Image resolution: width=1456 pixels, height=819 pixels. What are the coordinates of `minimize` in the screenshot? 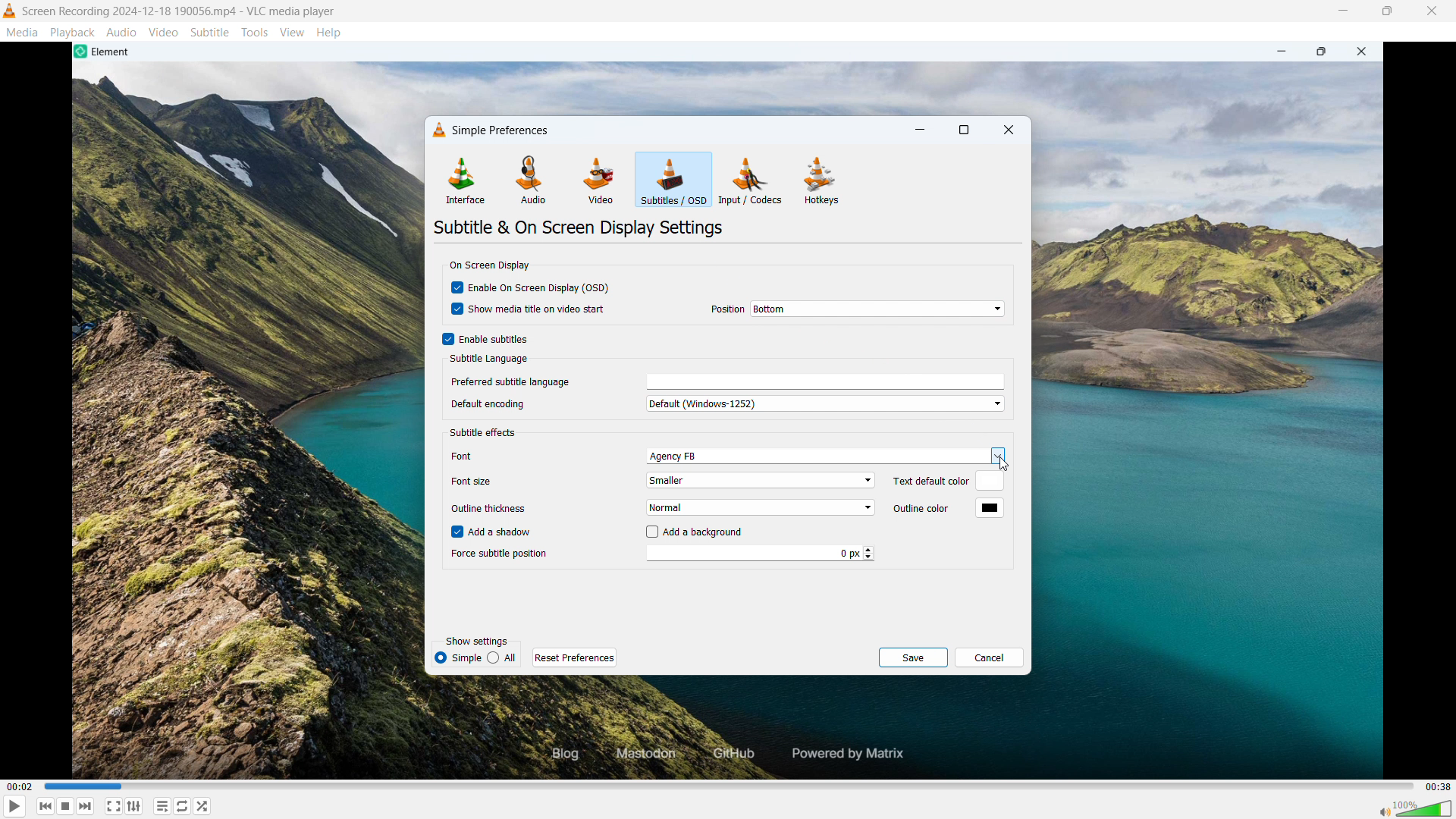 It's located at (921, 130).